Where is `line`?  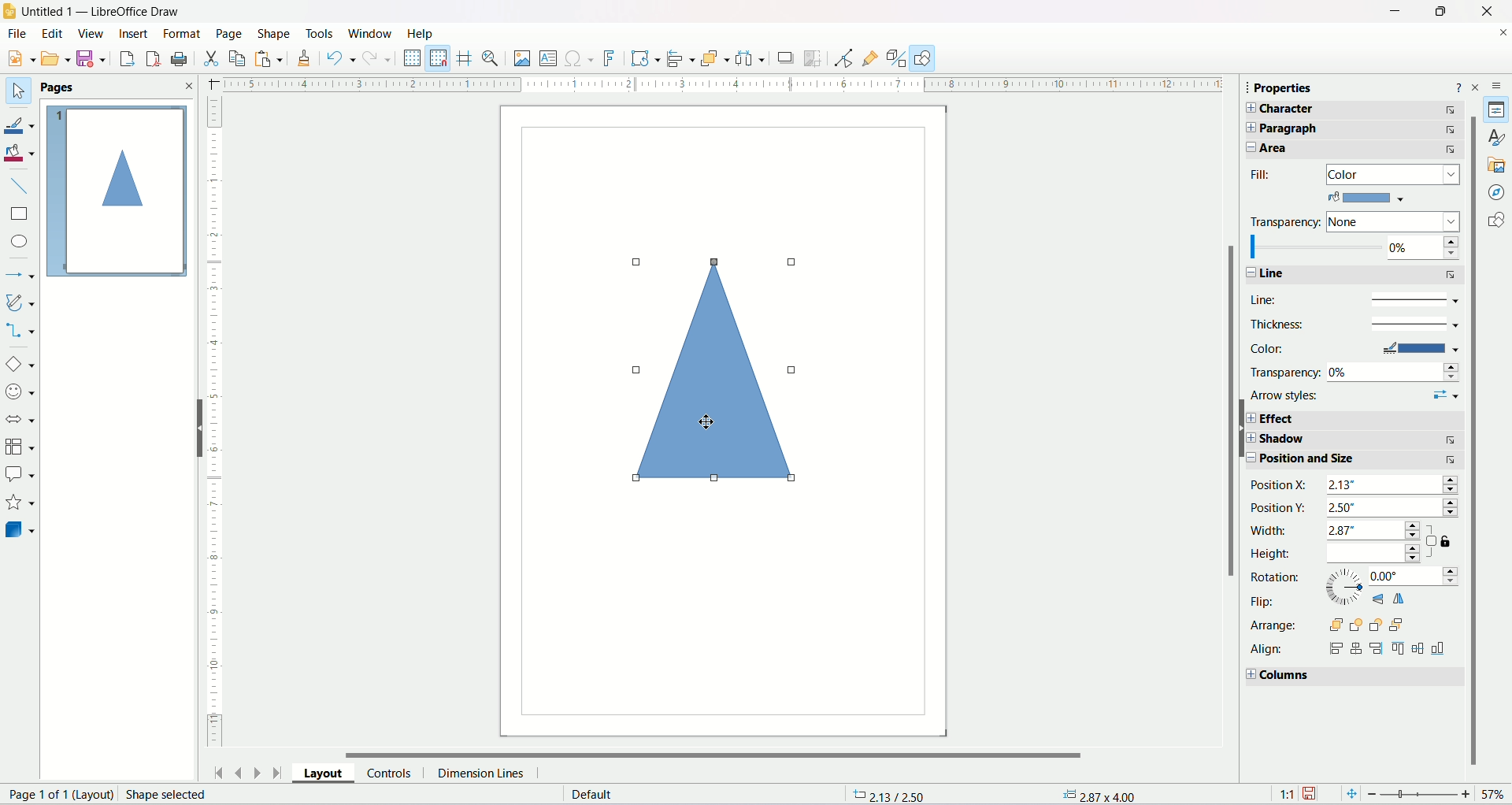 line is located at coordinates (1353, 272).